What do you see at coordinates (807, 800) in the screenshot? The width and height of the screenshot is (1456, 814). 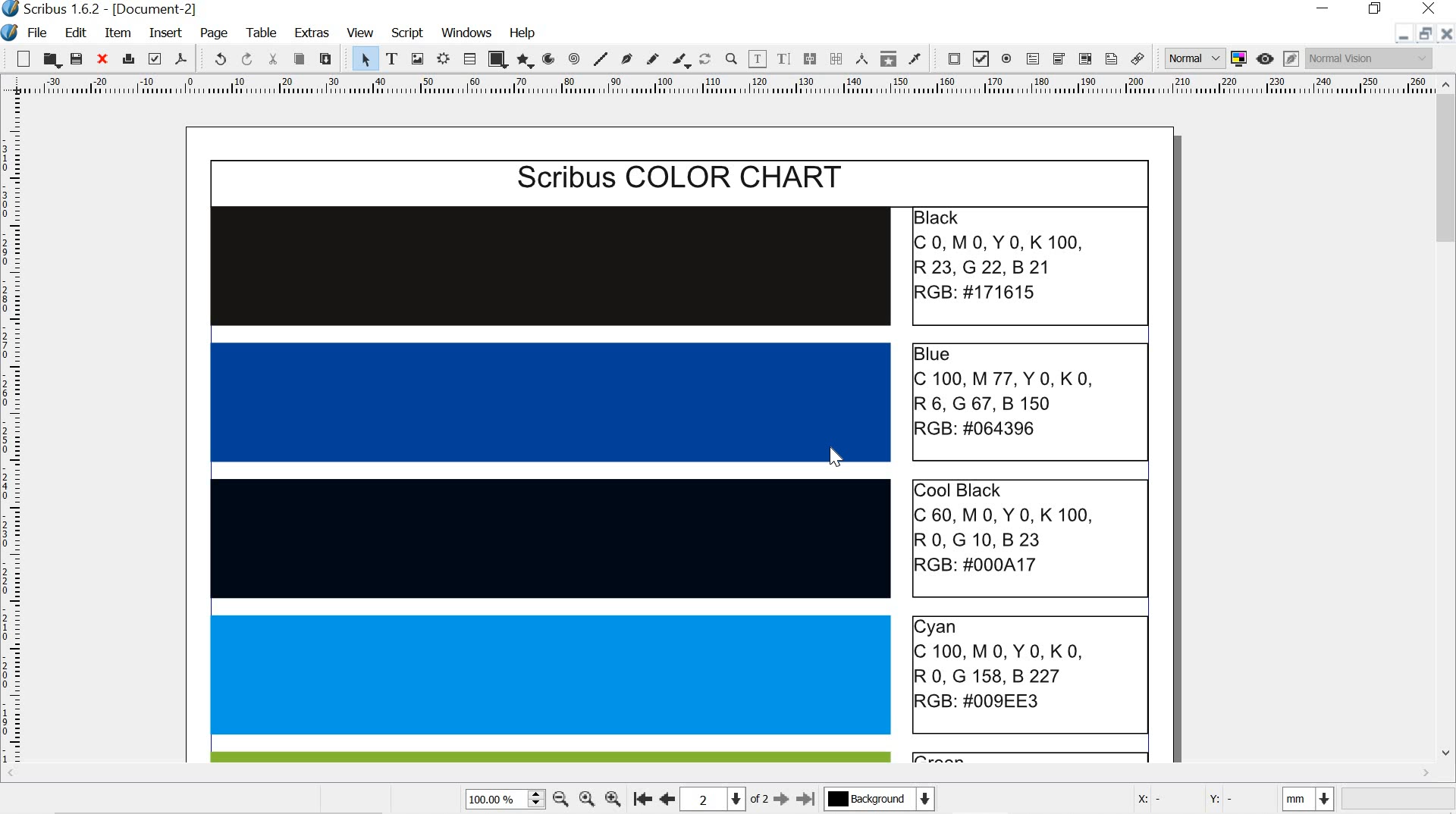 I see `Last page` at bounding box center [807, 800].